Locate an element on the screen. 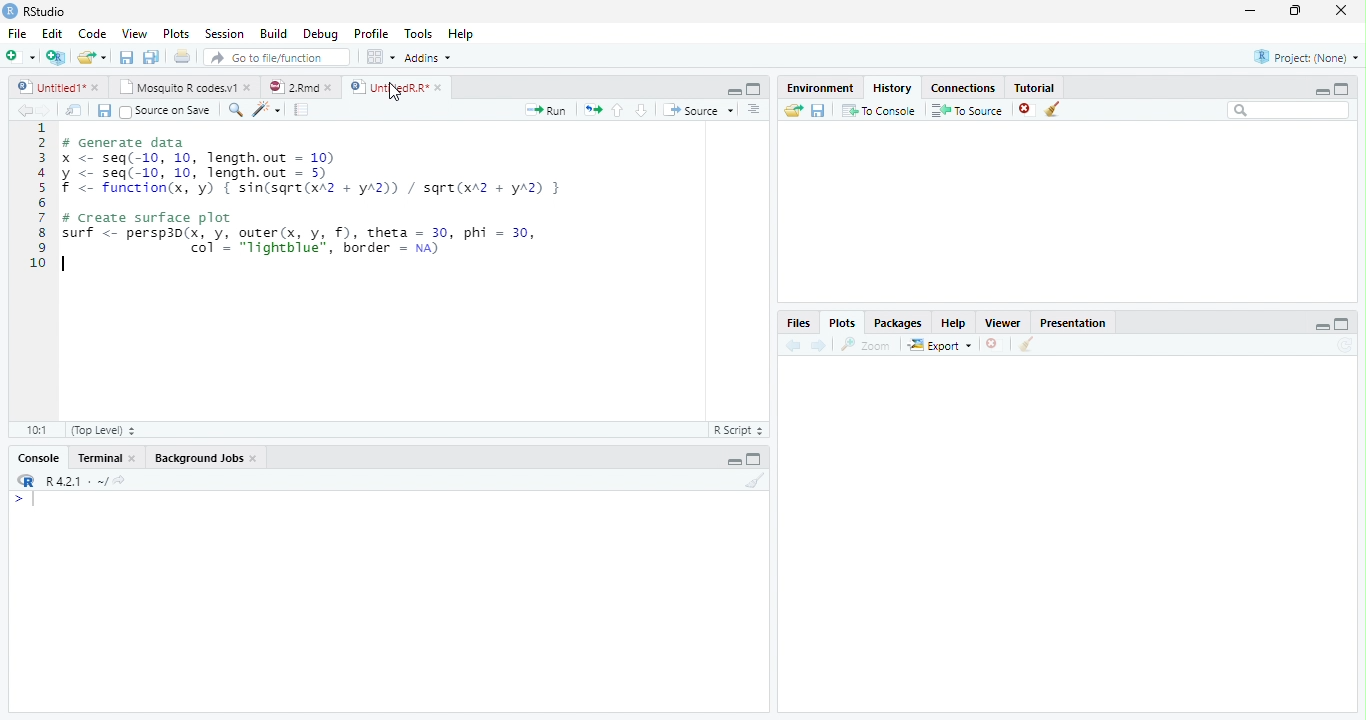 This screenshot has width=1366, height=720. Addins is located at coordinates (428, 58).